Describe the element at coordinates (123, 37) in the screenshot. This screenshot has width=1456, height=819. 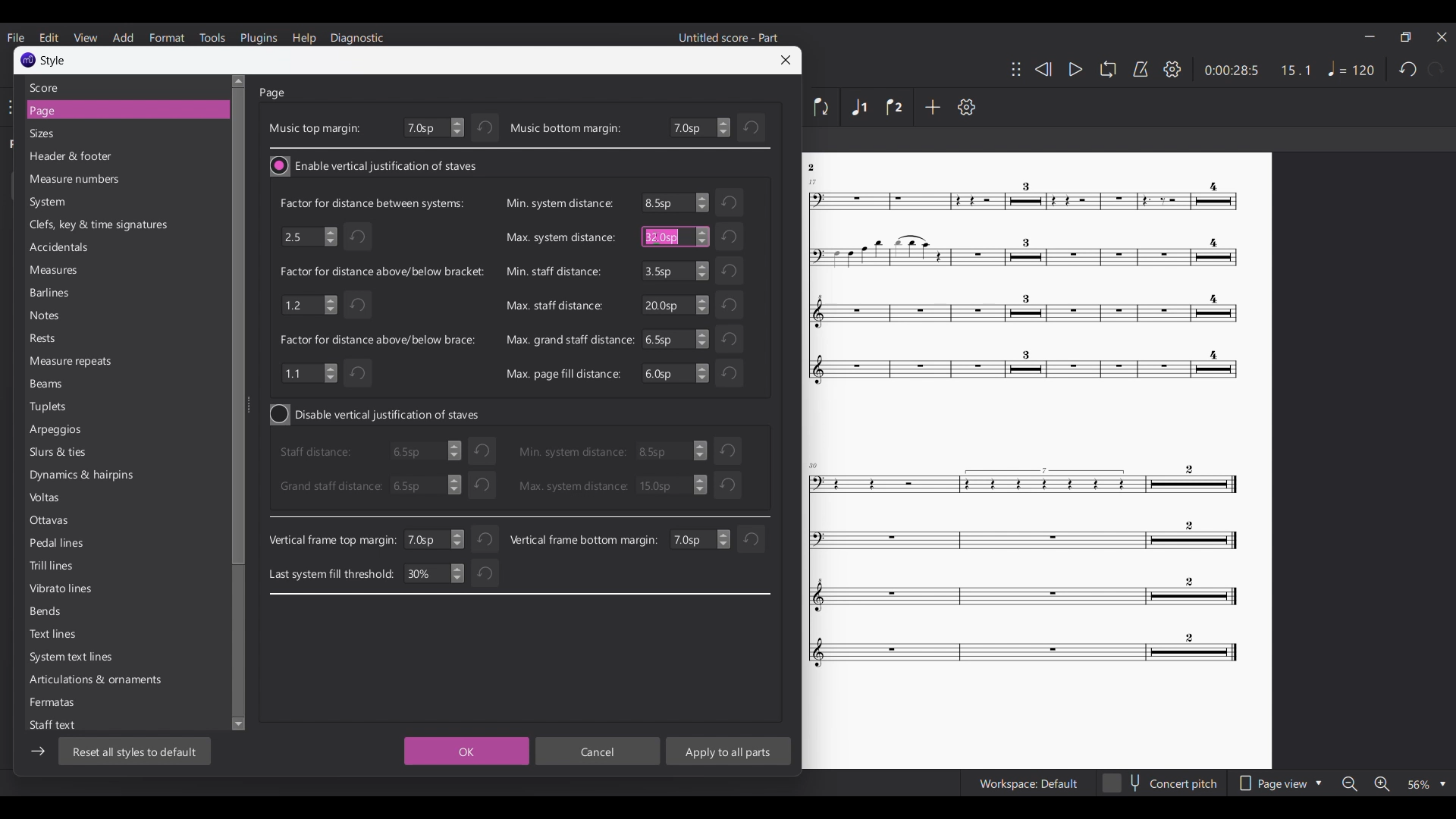
I see `Add menu` at that location.